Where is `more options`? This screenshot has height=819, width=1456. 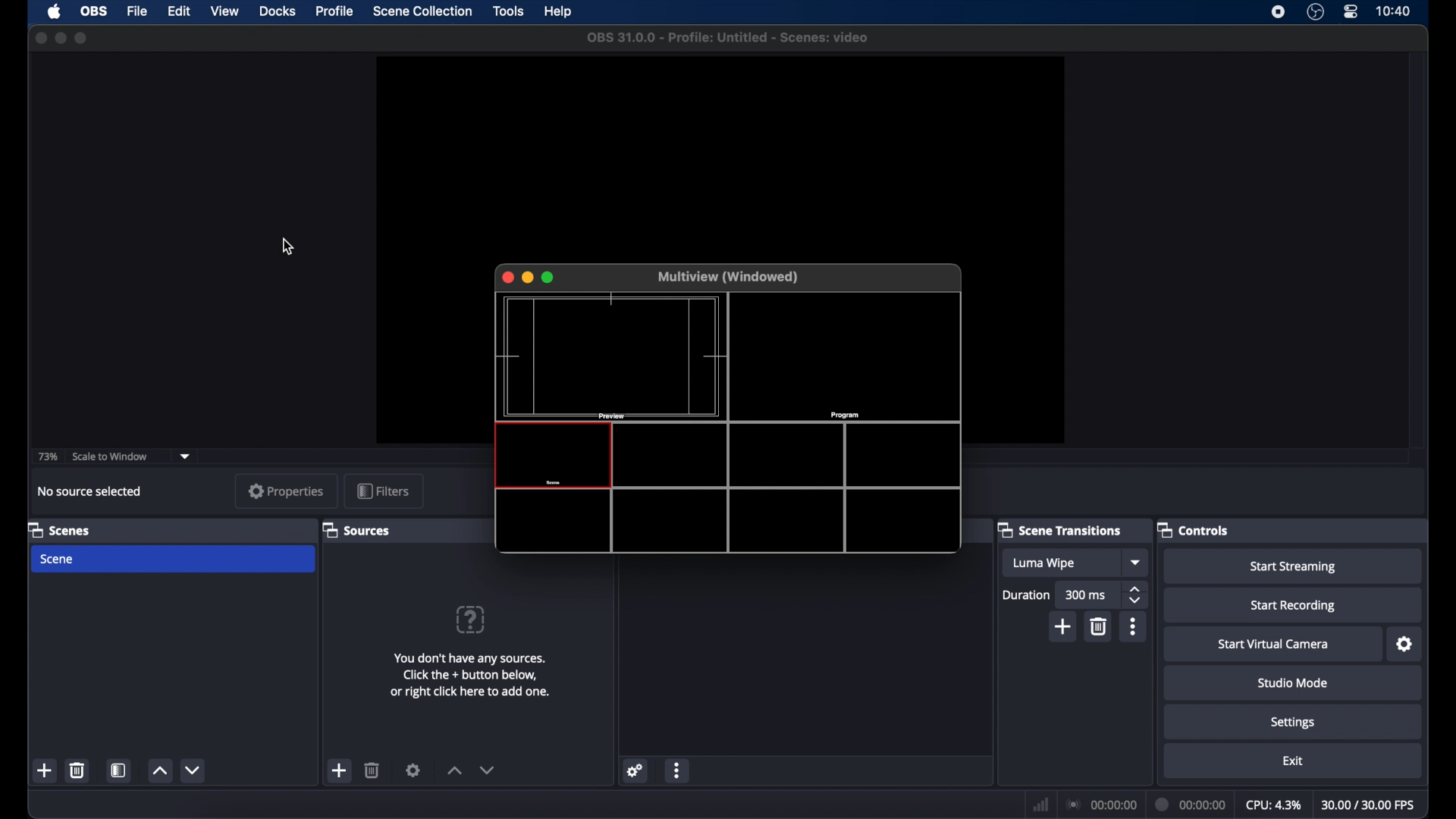 more options is located at coordinates (1133, 626).